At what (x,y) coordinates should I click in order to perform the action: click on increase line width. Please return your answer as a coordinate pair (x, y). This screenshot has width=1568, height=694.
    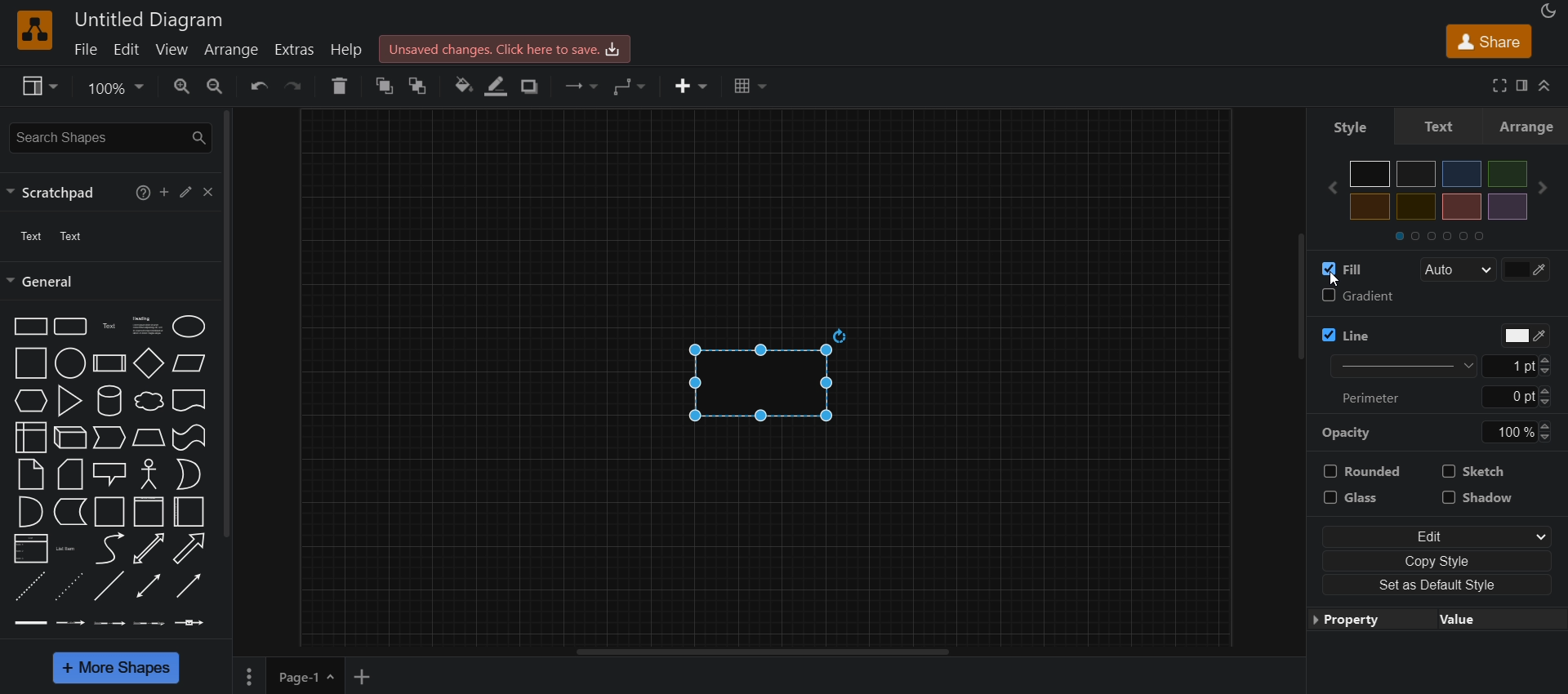
    Looking at the image, I should click on (1550, 359).